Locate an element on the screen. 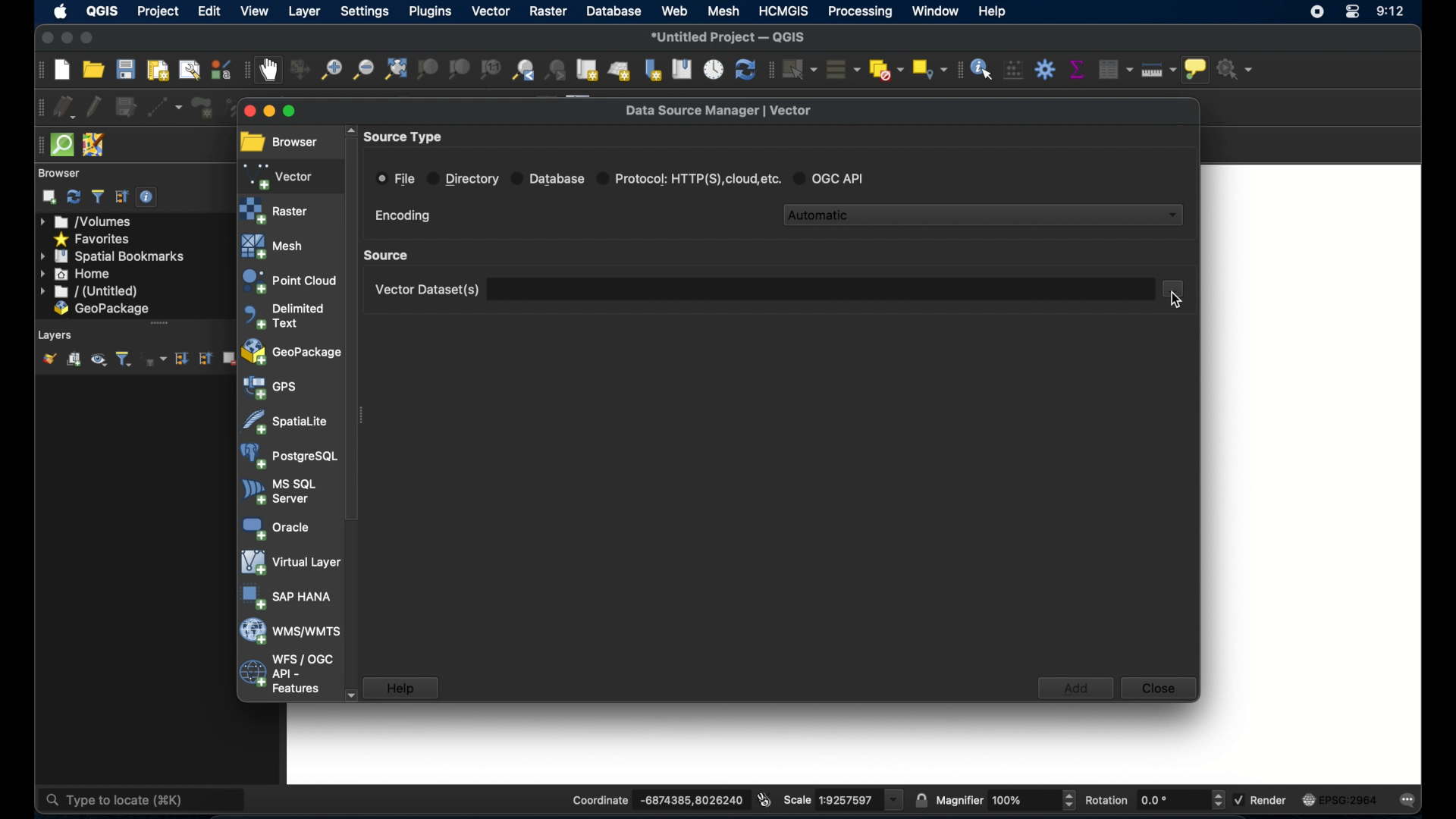  vertex tool is located at coordinates (239, 108).